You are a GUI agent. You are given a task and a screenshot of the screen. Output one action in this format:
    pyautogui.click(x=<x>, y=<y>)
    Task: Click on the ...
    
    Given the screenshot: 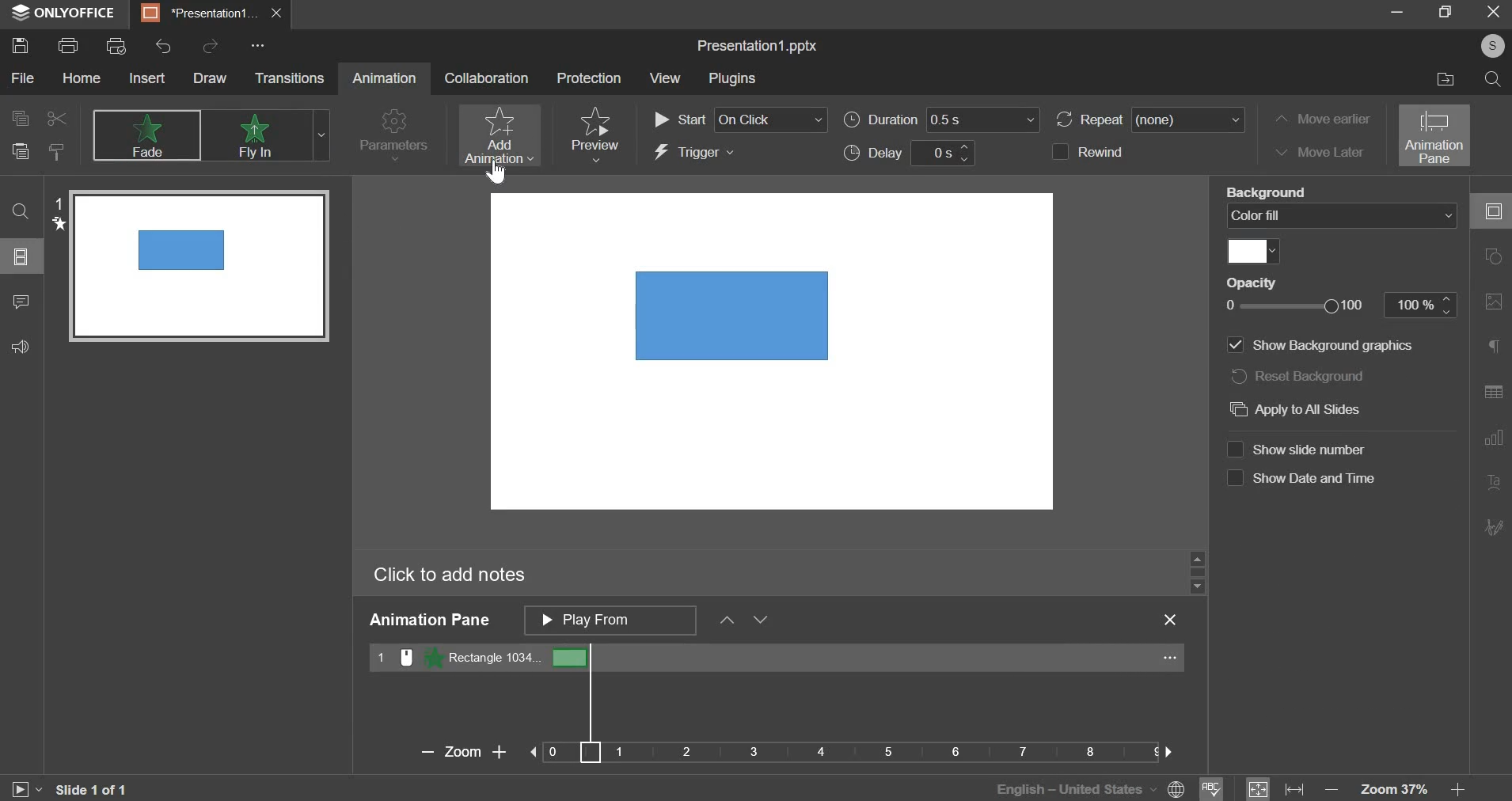 What is the action you would take?
    pyautogui.click(x=1171, y=659)
    